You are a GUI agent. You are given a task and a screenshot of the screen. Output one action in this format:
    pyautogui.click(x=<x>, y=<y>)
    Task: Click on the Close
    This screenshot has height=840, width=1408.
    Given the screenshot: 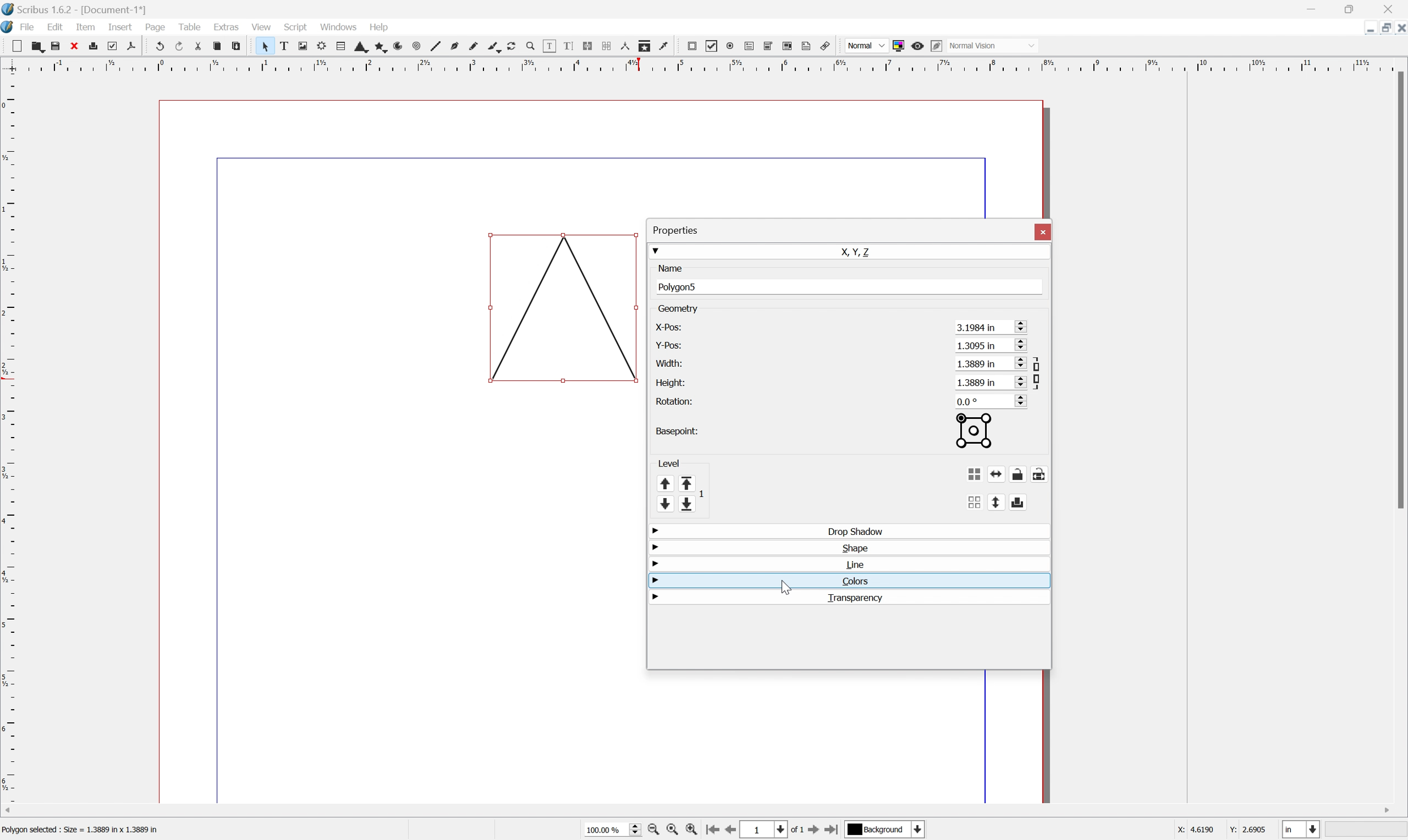 What is the action you would take?
    pyautogui.click(x=1399, y=29)
    